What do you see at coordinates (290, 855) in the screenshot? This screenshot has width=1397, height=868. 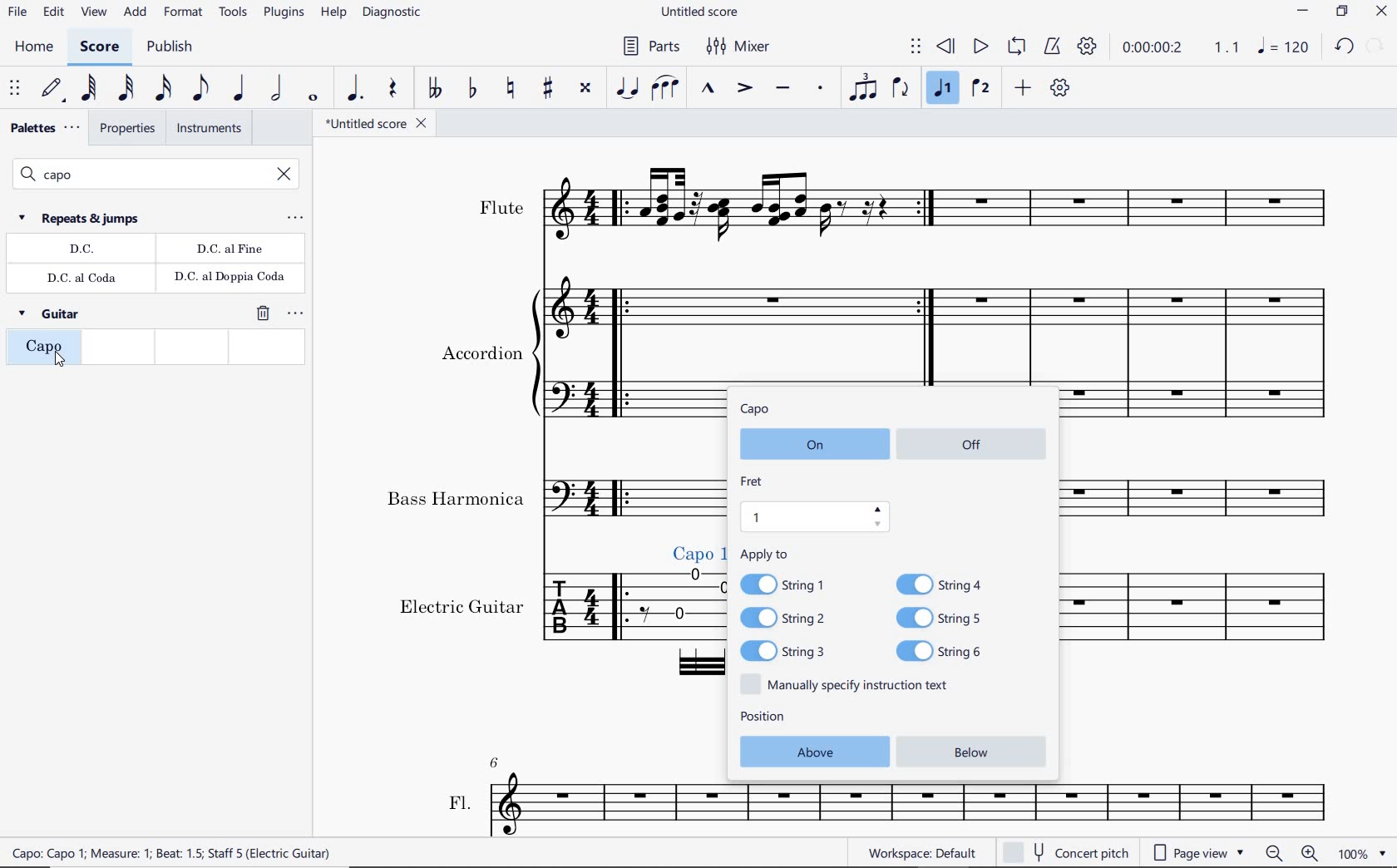 I see `score description` at bounding box center [290, 855].